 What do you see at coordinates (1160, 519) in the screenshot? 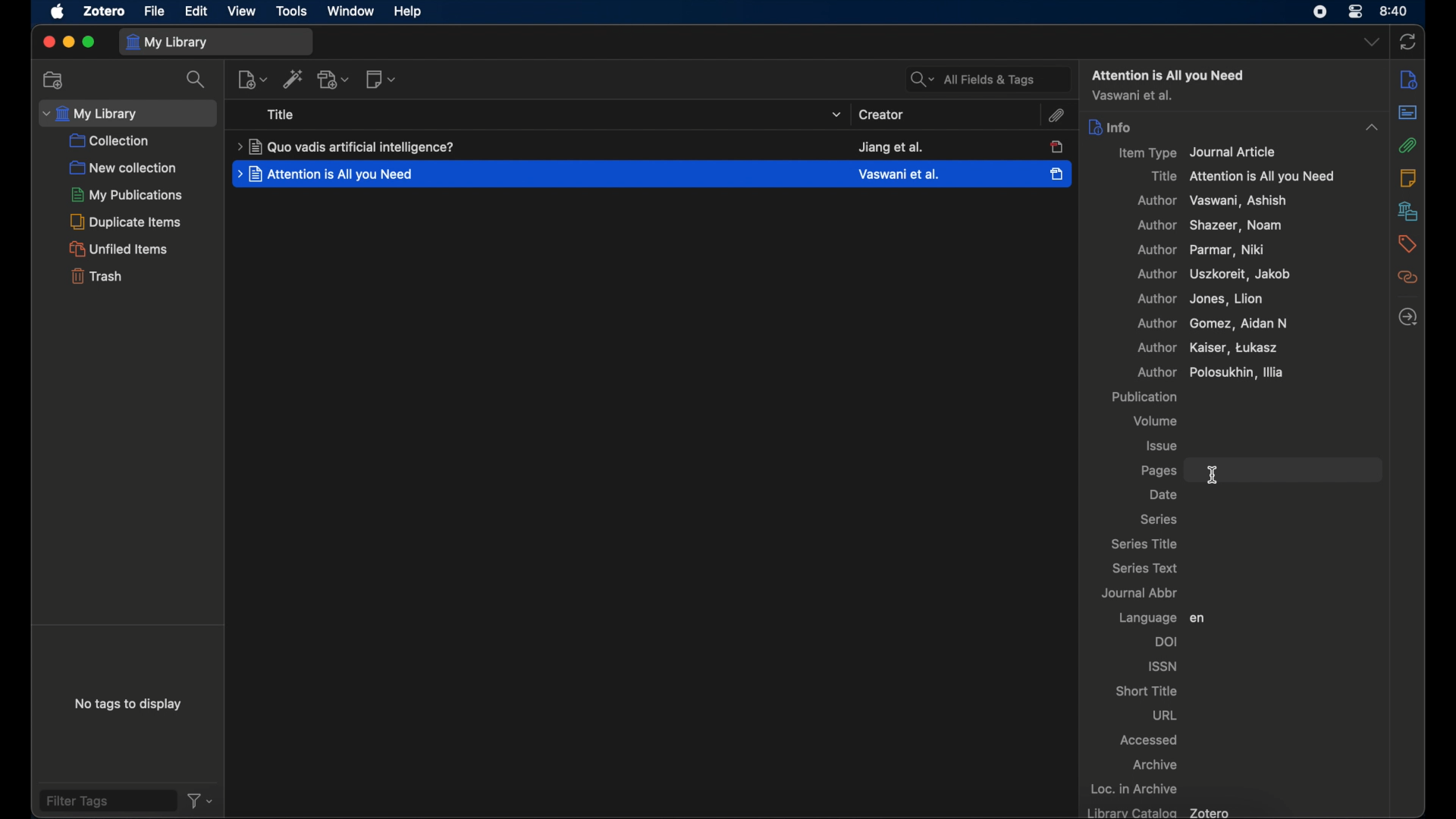
I see `series` at bounding box center [1160, 519].